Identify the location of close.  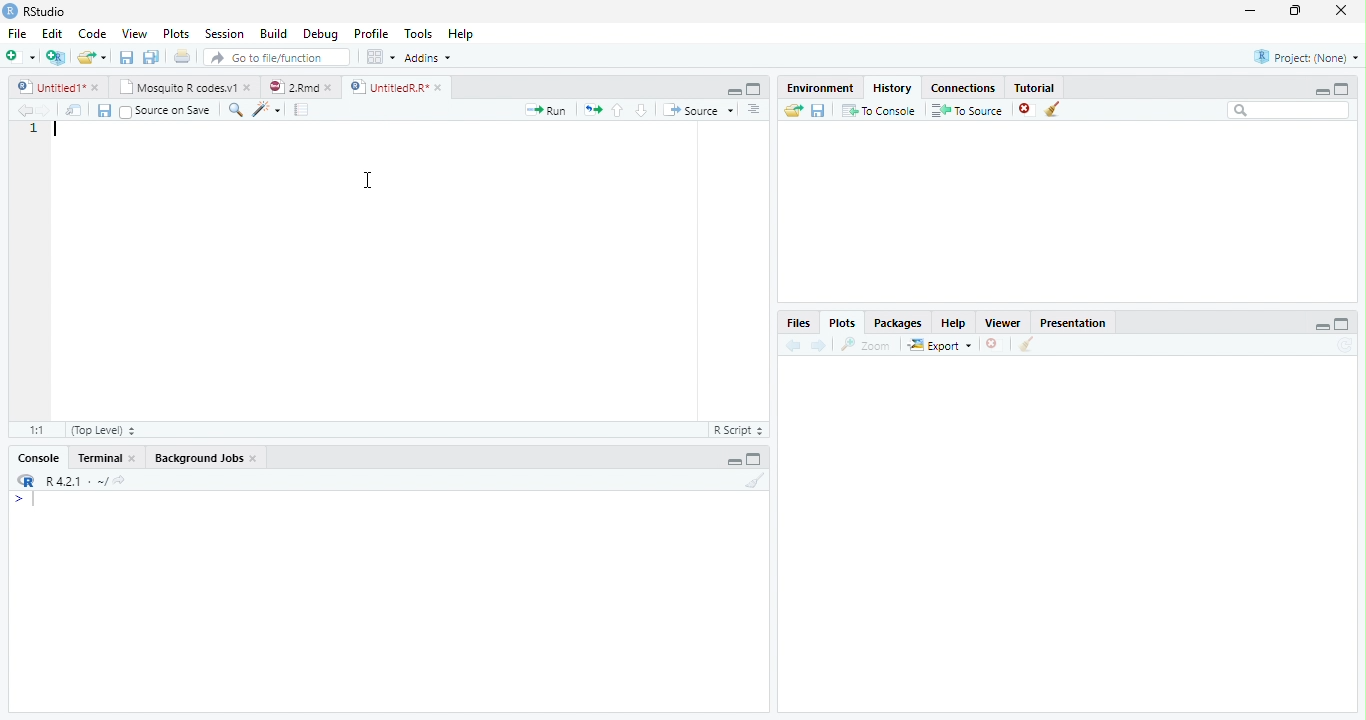
(250, 88).